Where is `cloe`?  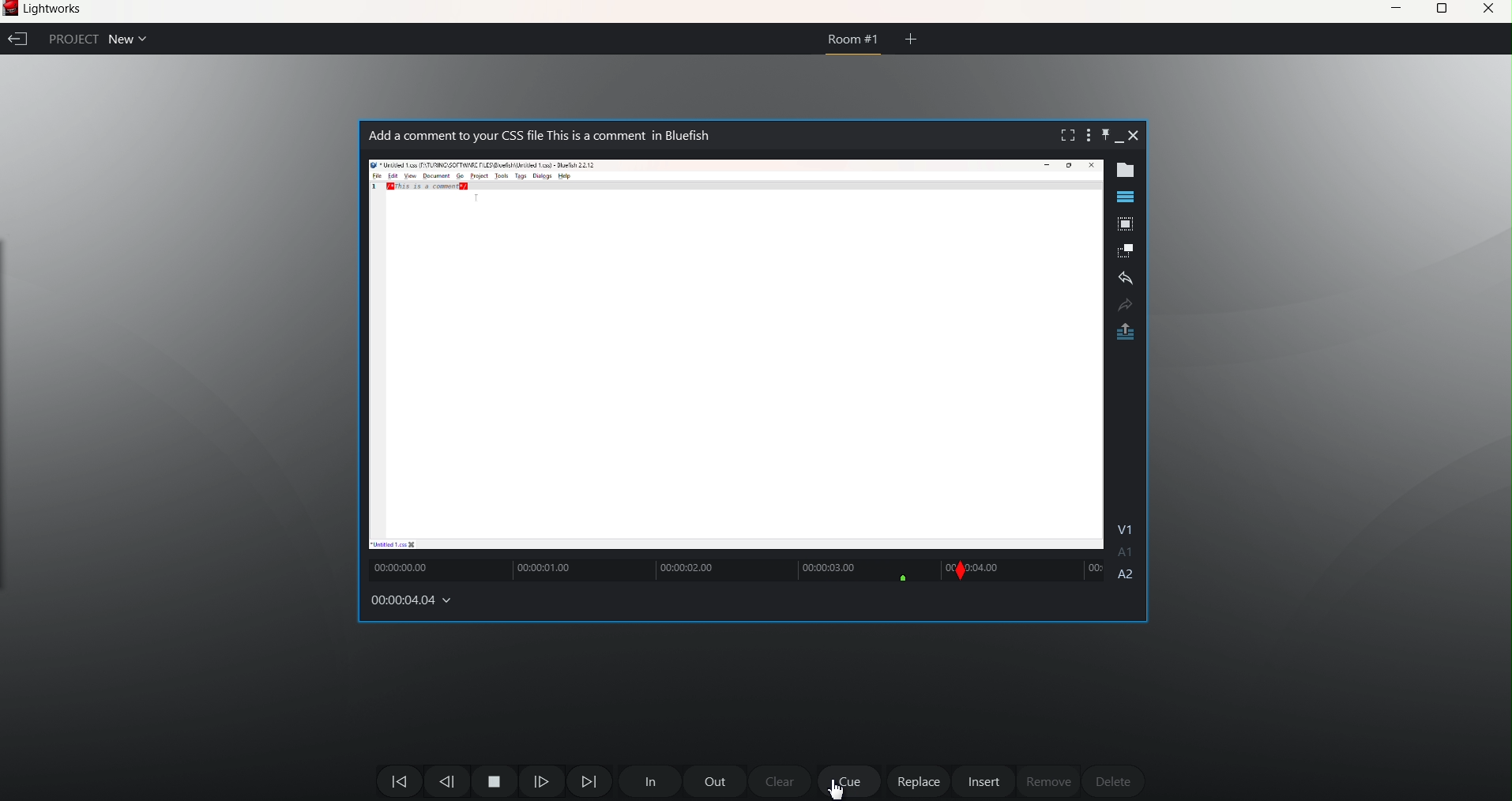
cloe is located at coordinates (1489, 11).